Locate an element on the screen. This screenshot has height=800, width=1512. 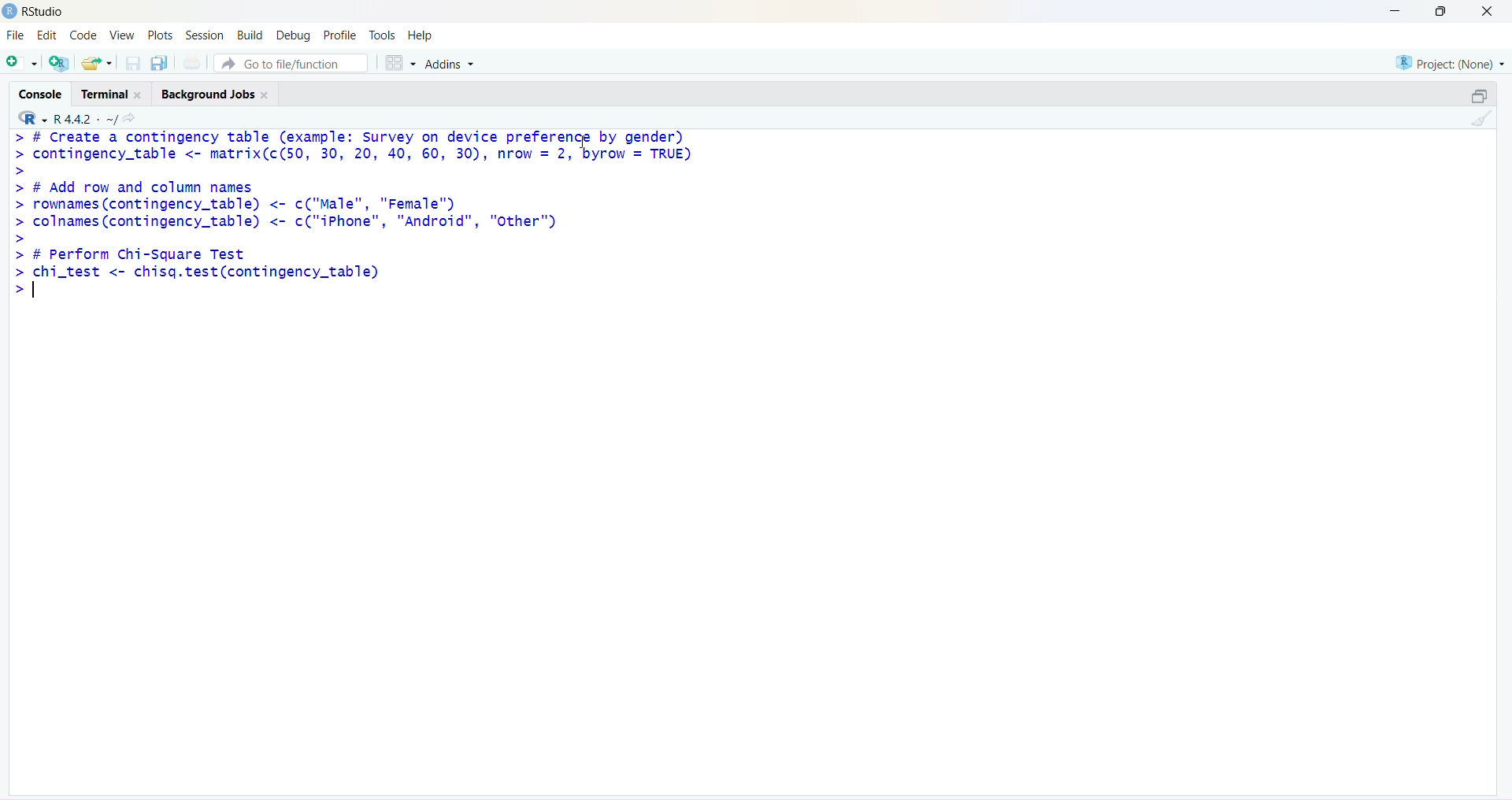
R 4.4.2 ~/ is located at coordinates (87, 120).